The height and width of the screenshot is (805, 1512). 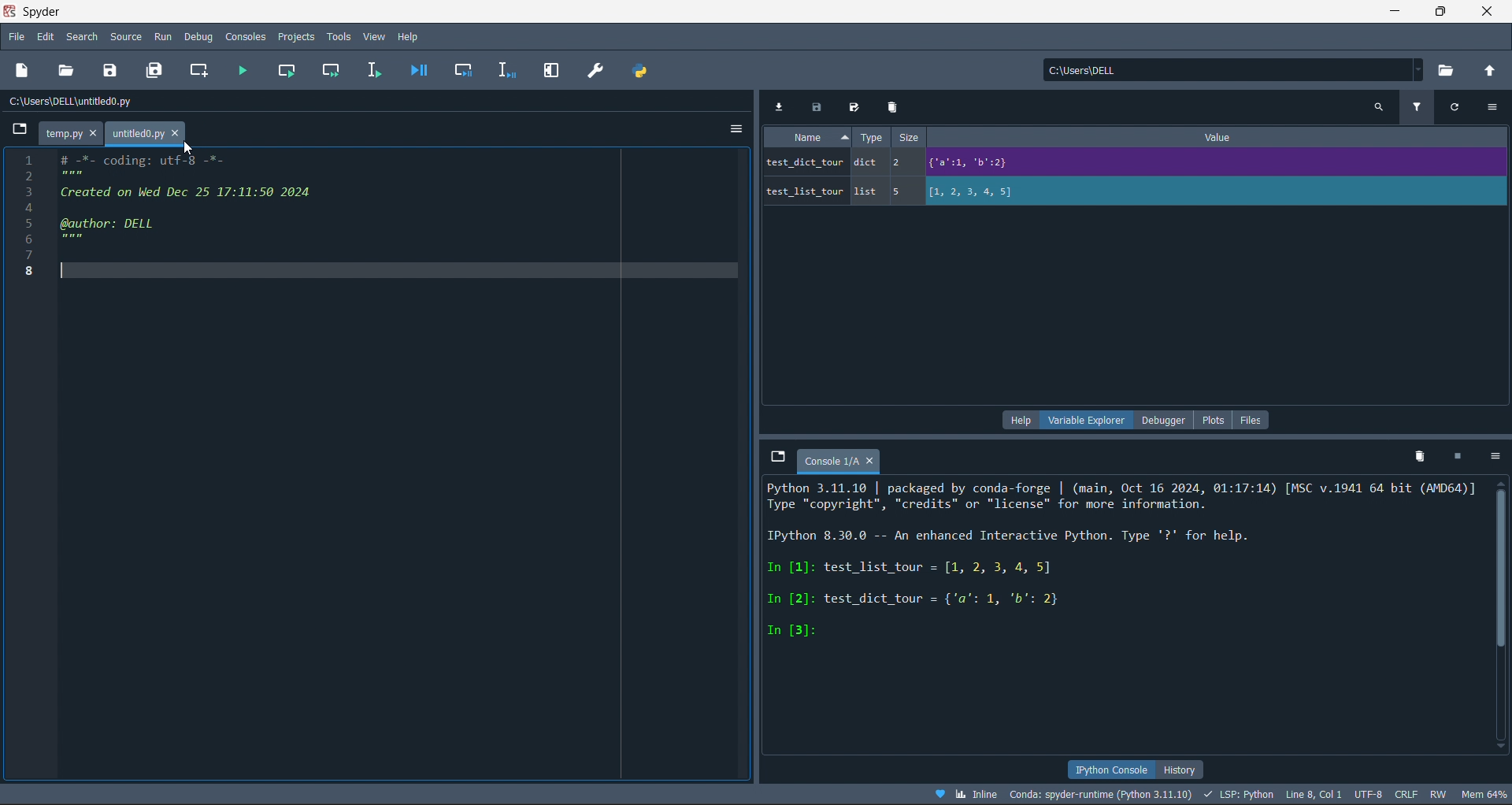 I want to click on maximize current pane, so click(x=552, y=71).